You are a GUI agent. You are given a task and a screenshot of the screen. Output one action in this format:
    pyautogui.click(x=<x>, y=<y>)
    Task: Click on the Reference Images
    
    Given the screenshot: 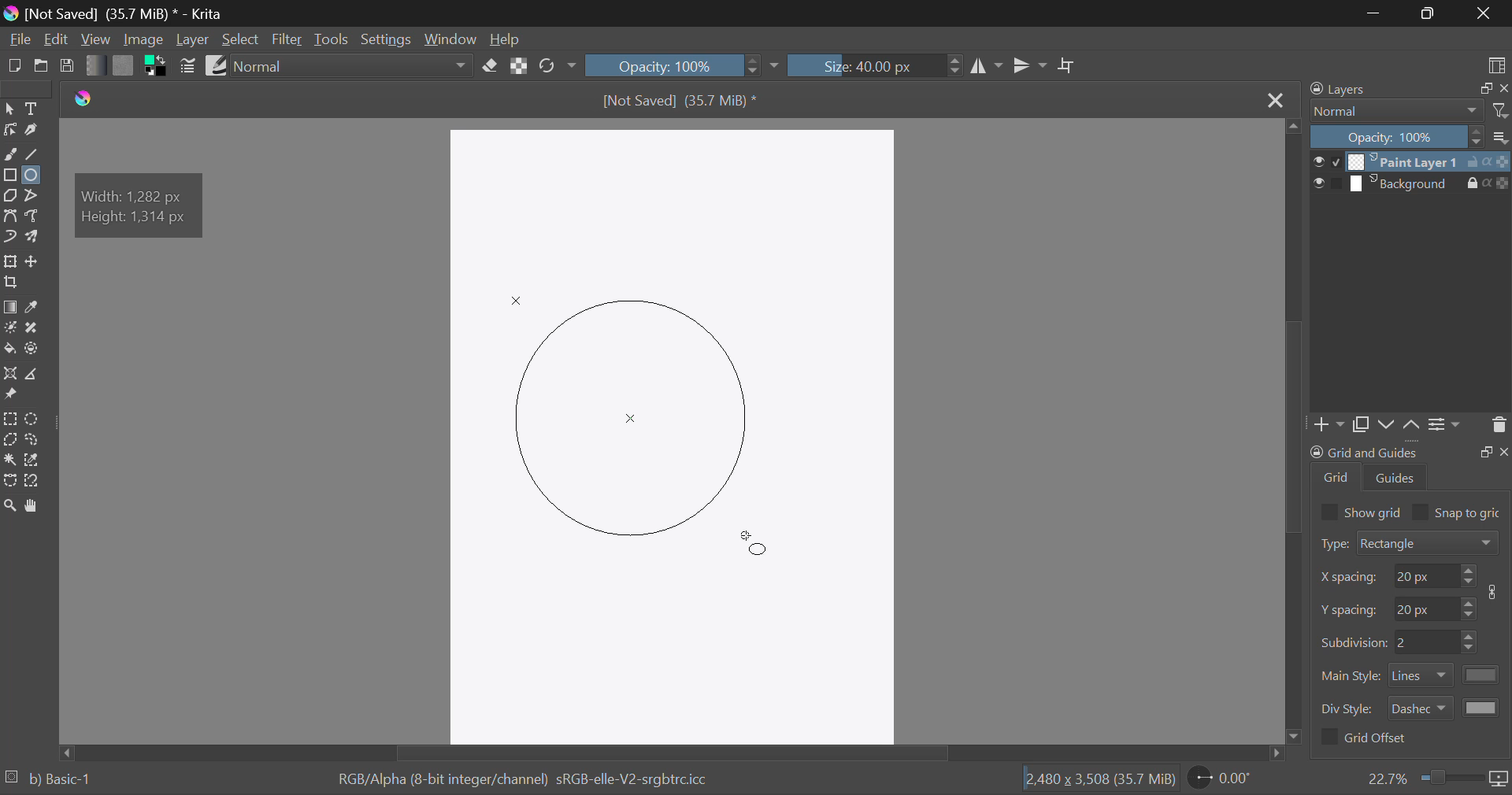 What is the action you would take?
    pyautogui.click(x=9, y=394)
    